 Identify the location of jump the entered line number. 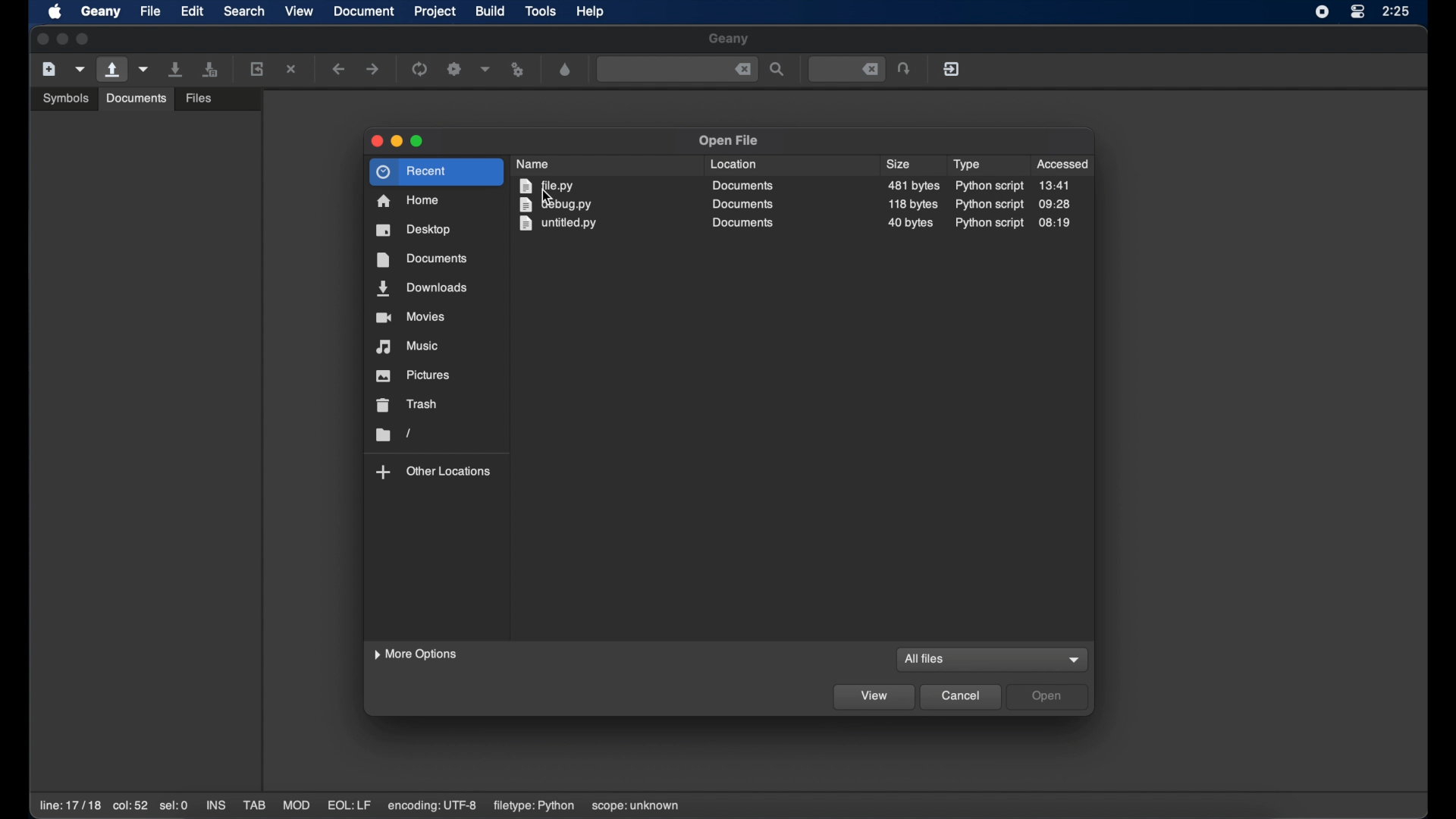
(906, 68).